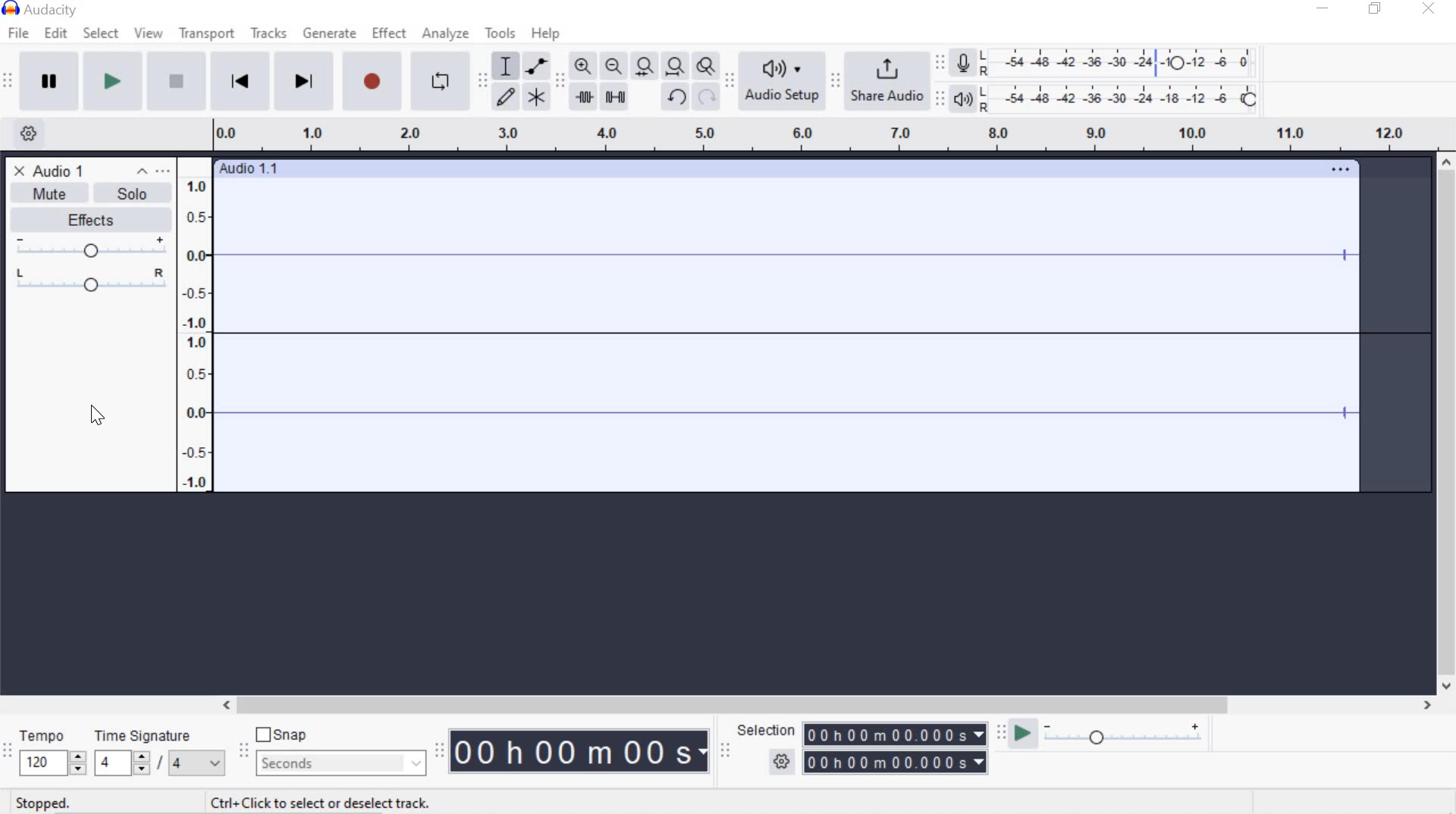 The image size is (1456, 814). Describe the element at coordinates (90, 397) in the screenshot. I see `Select or Deselect Track` at that location.